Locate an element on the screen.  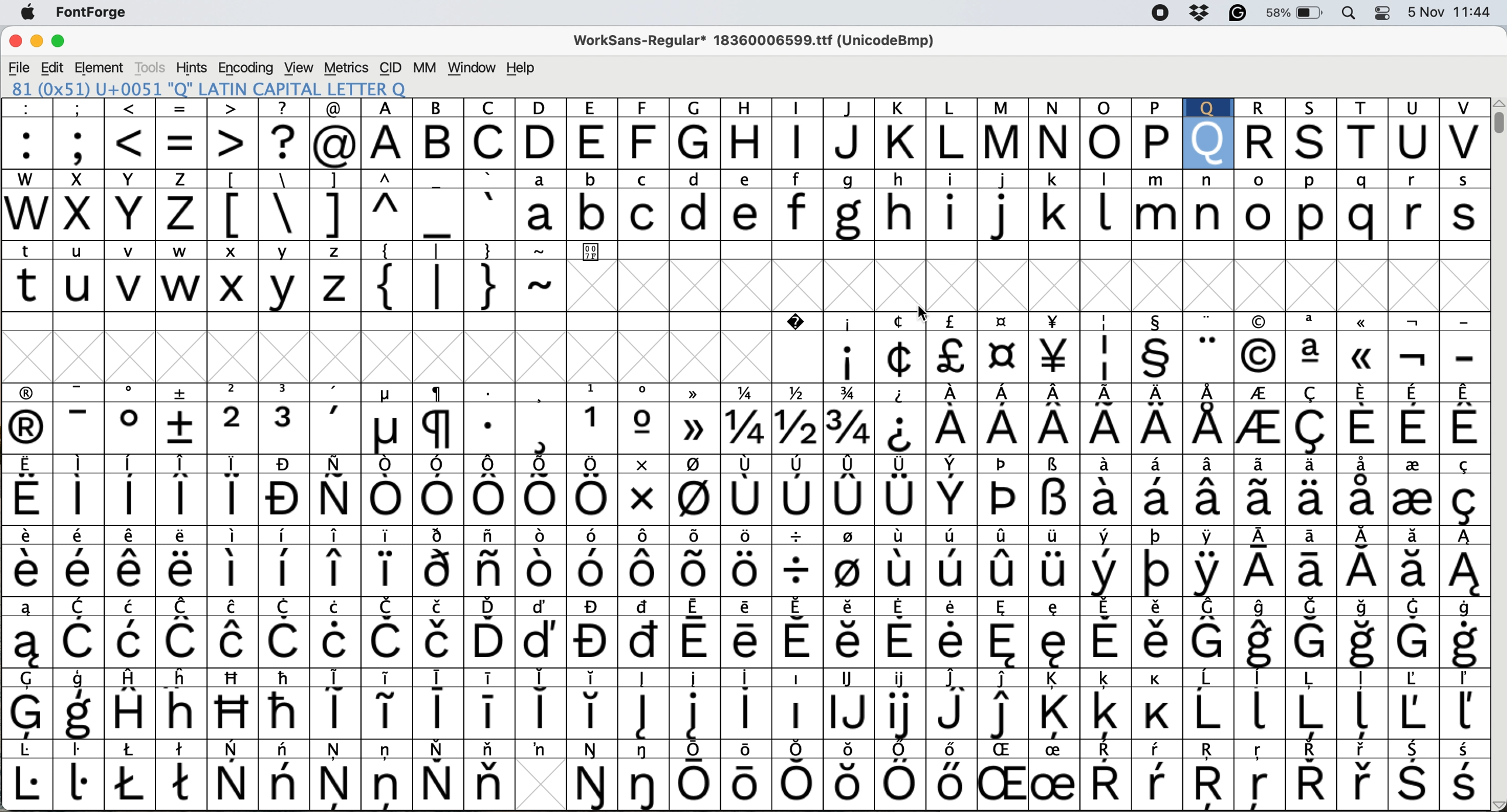
text is located at coordinates (745, 464).